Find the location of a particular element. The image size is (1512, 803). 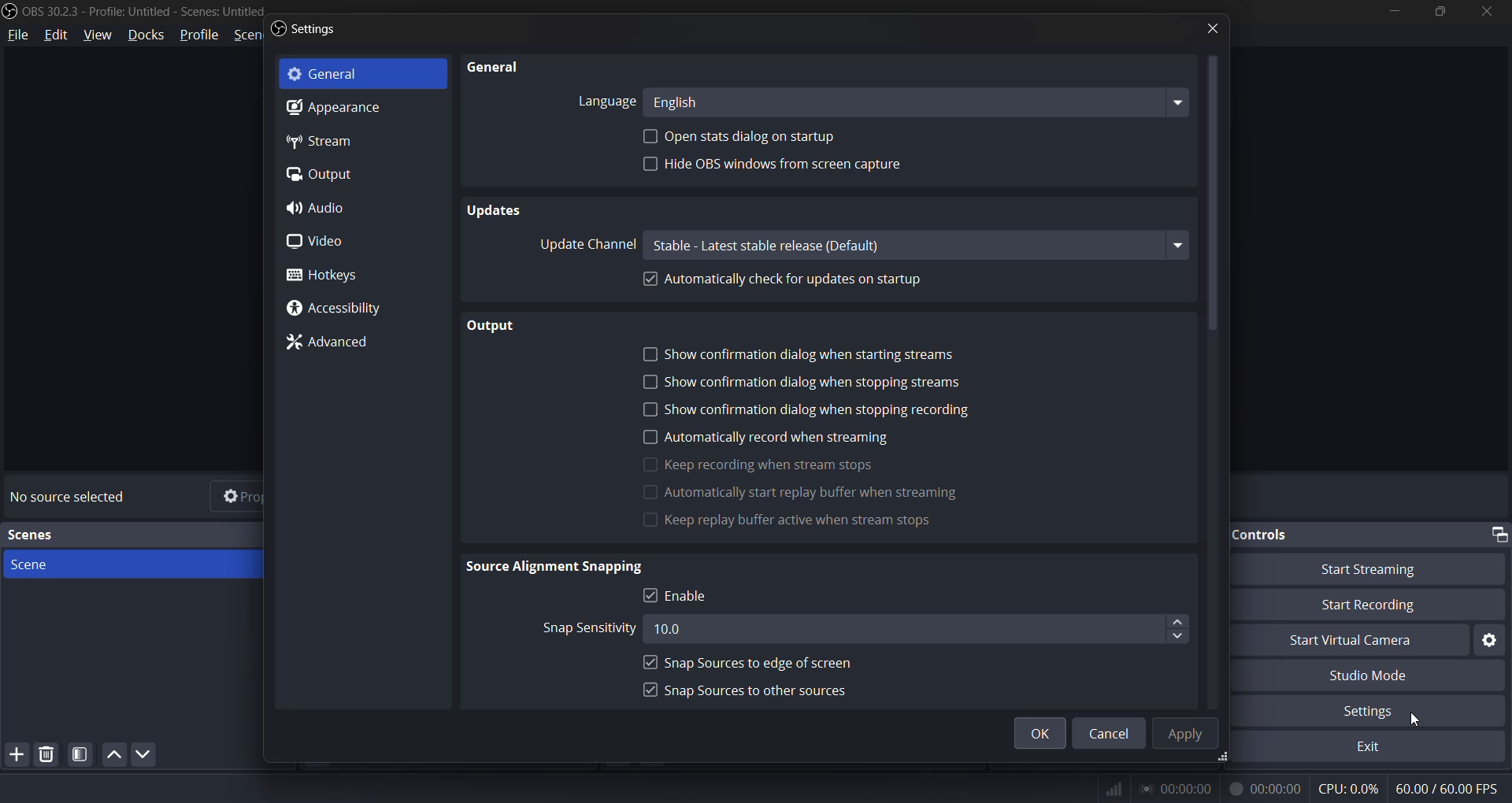

snap sources to other sources is located at coordinates (764, 692).